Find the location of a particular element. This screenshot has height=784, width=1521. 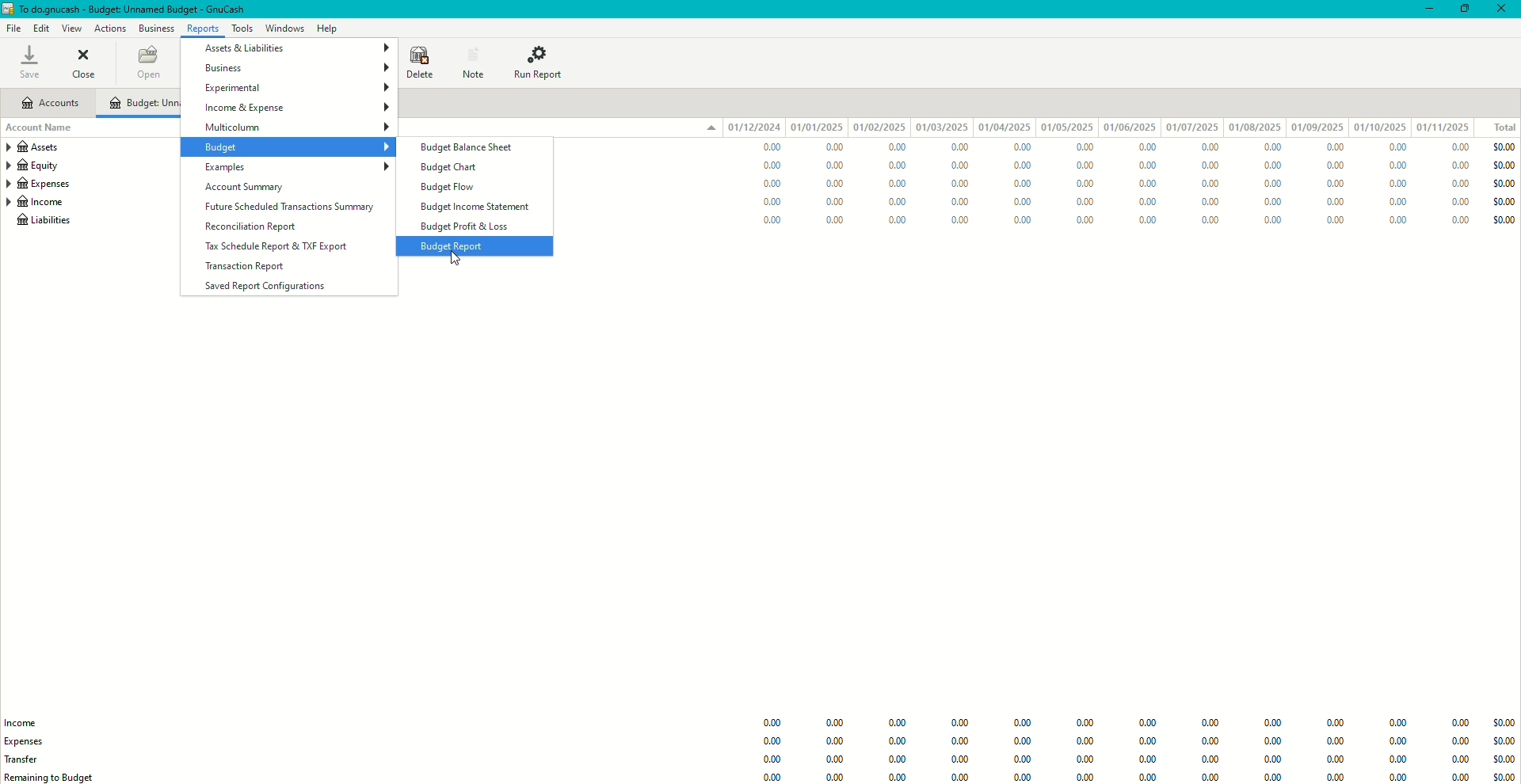

0.00 is located at coordinates (1147, 165).